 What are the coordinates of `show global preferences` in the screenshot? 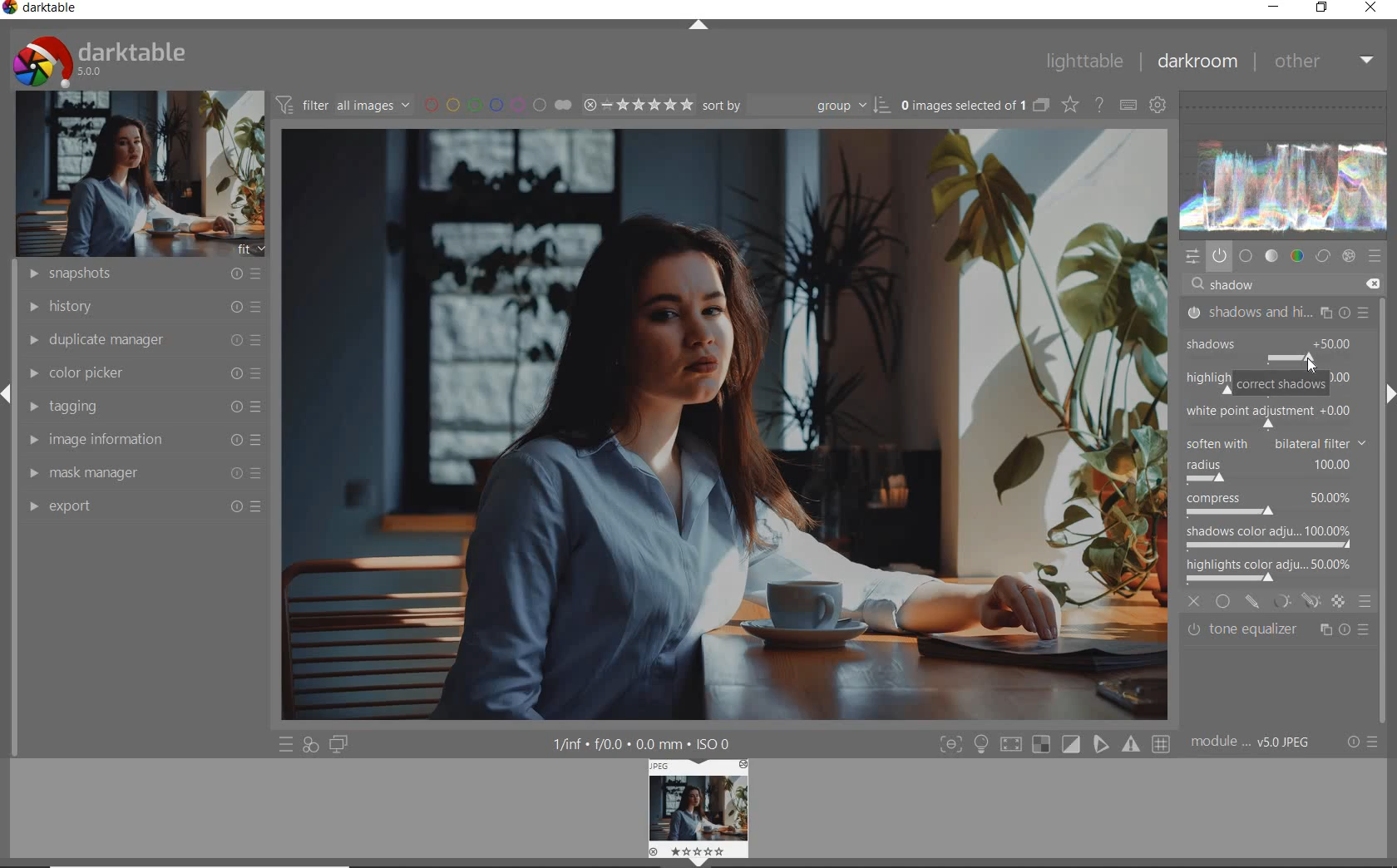 It's located at (1158, 106).